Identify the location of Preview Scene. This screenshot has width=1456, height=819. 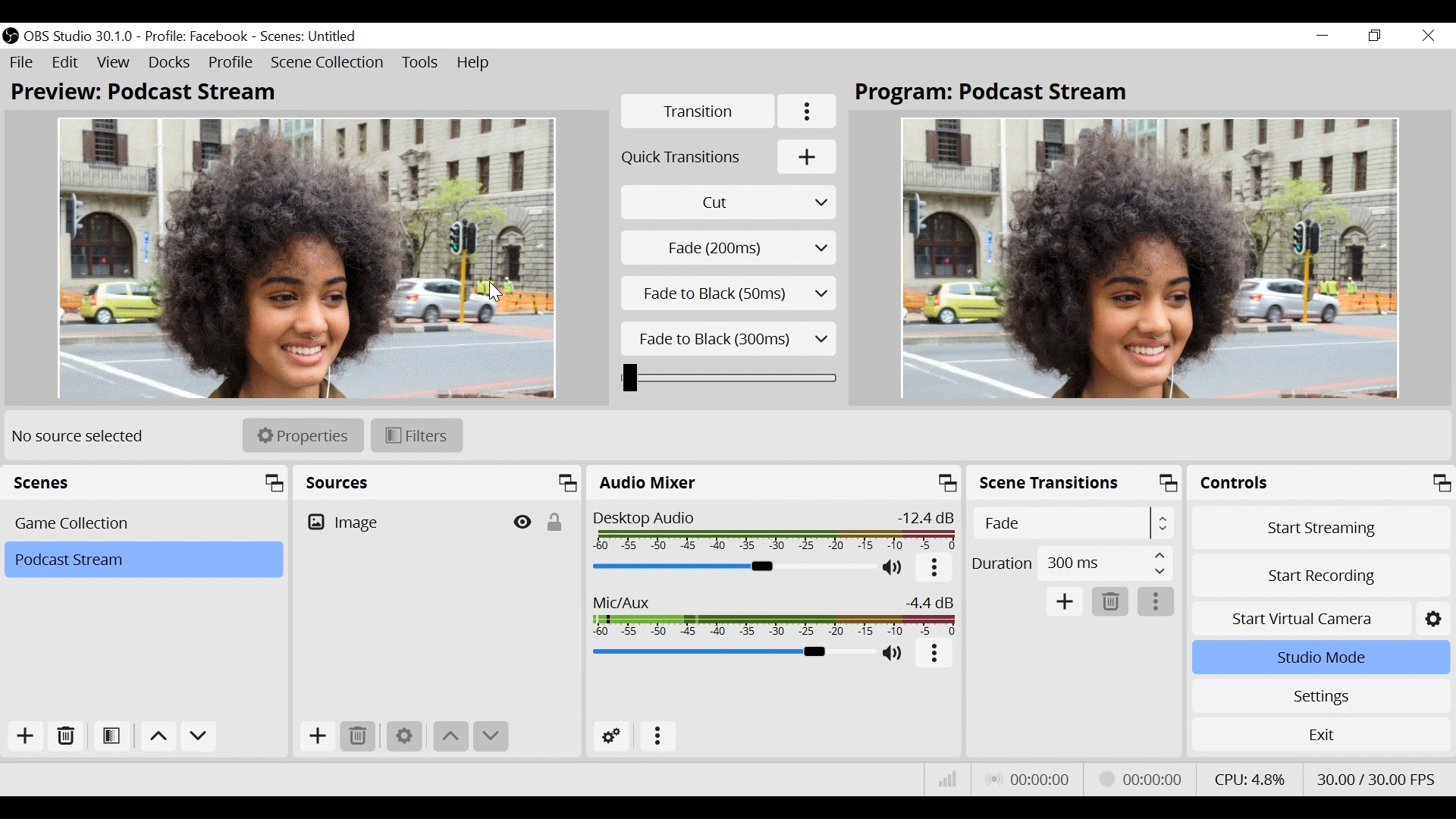
(308, 262).